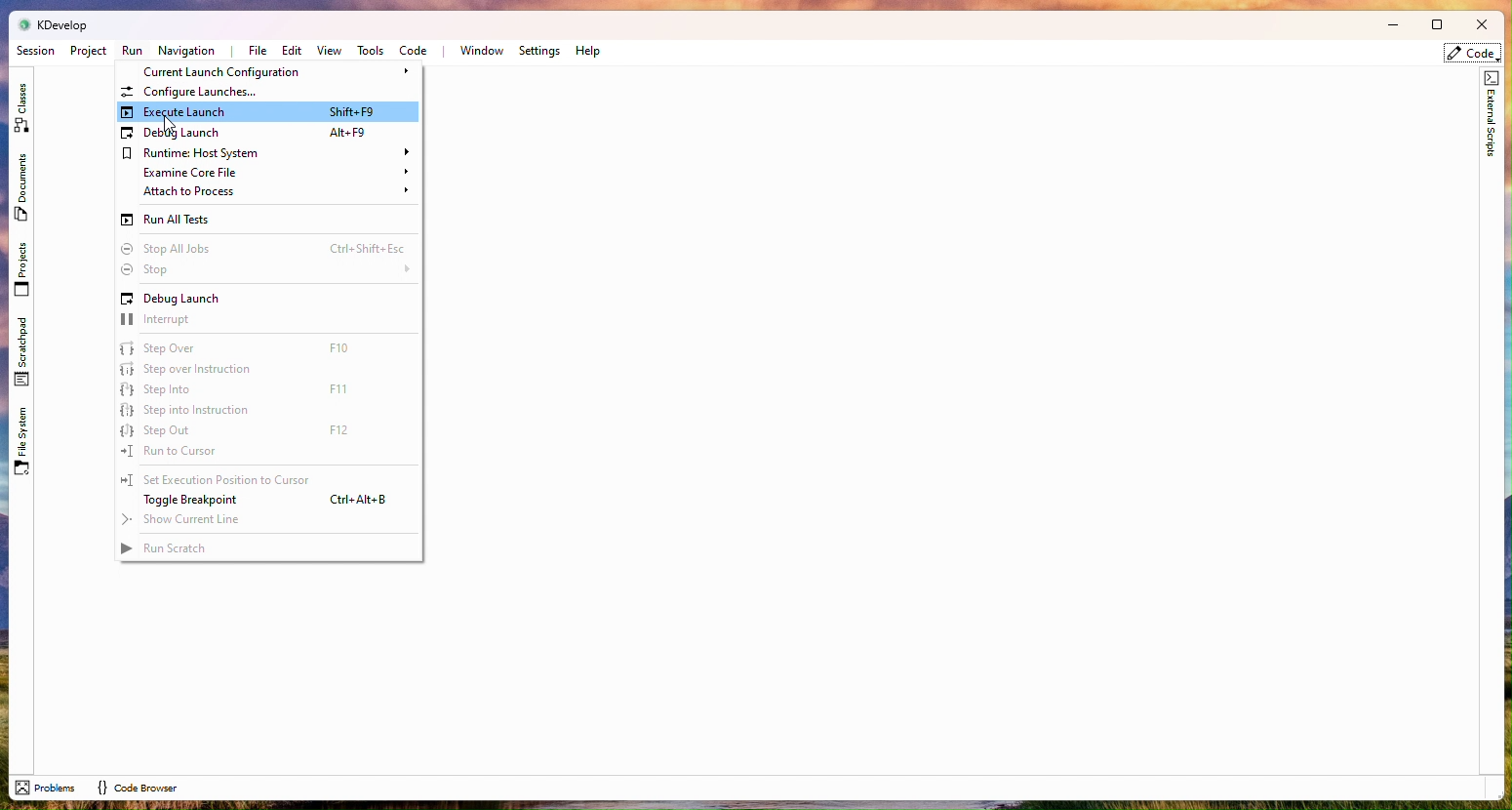  I want to click on Current Launch Configuration, so click(269, 72).